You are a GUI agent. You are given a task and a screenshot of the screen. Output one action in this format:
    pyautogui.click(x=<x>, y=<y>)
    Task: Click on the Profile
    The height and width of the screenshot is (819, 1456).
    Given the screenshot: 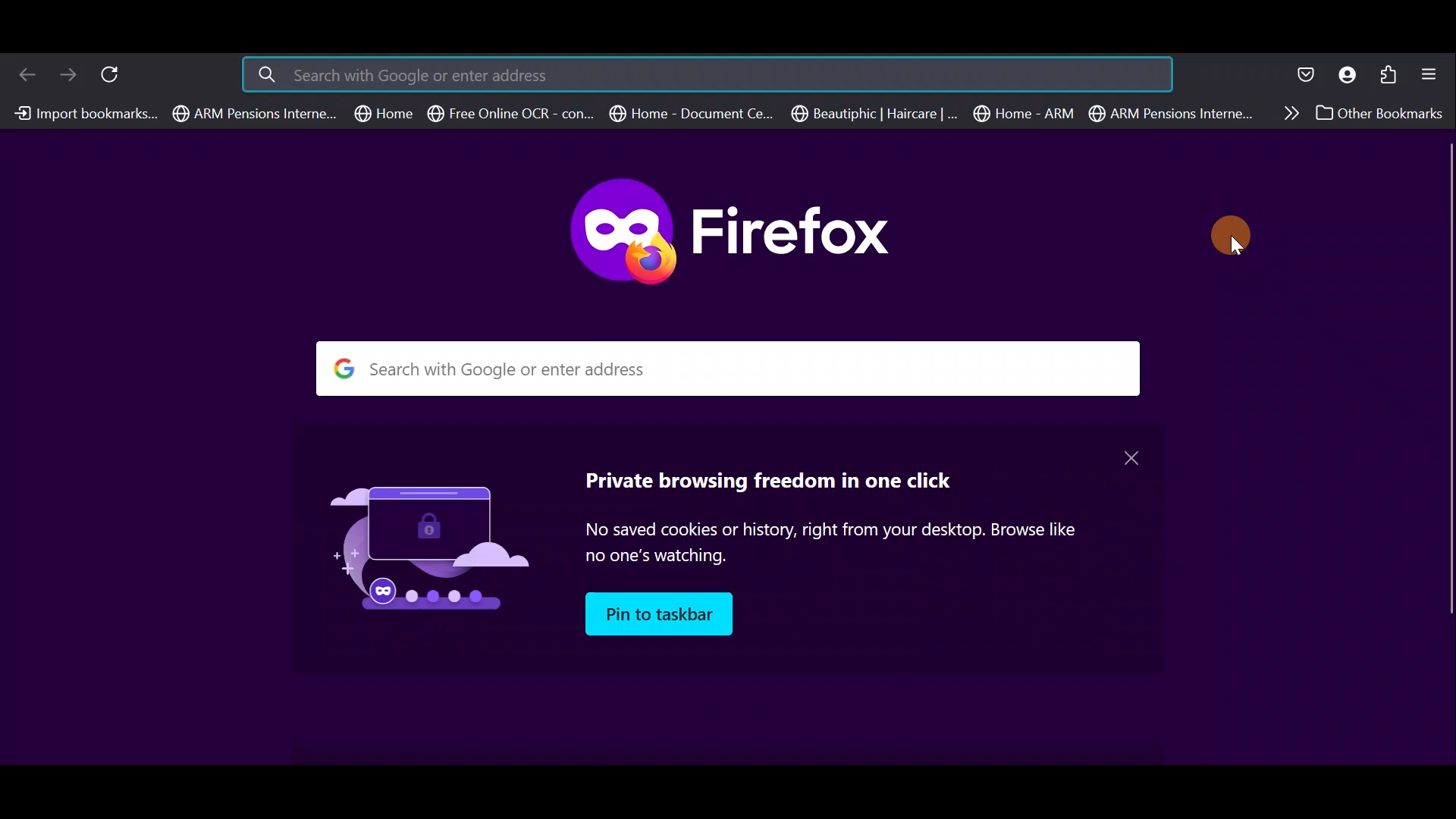 What is the action you would take?
    pyautogui.click(x=1348, y=74)
    